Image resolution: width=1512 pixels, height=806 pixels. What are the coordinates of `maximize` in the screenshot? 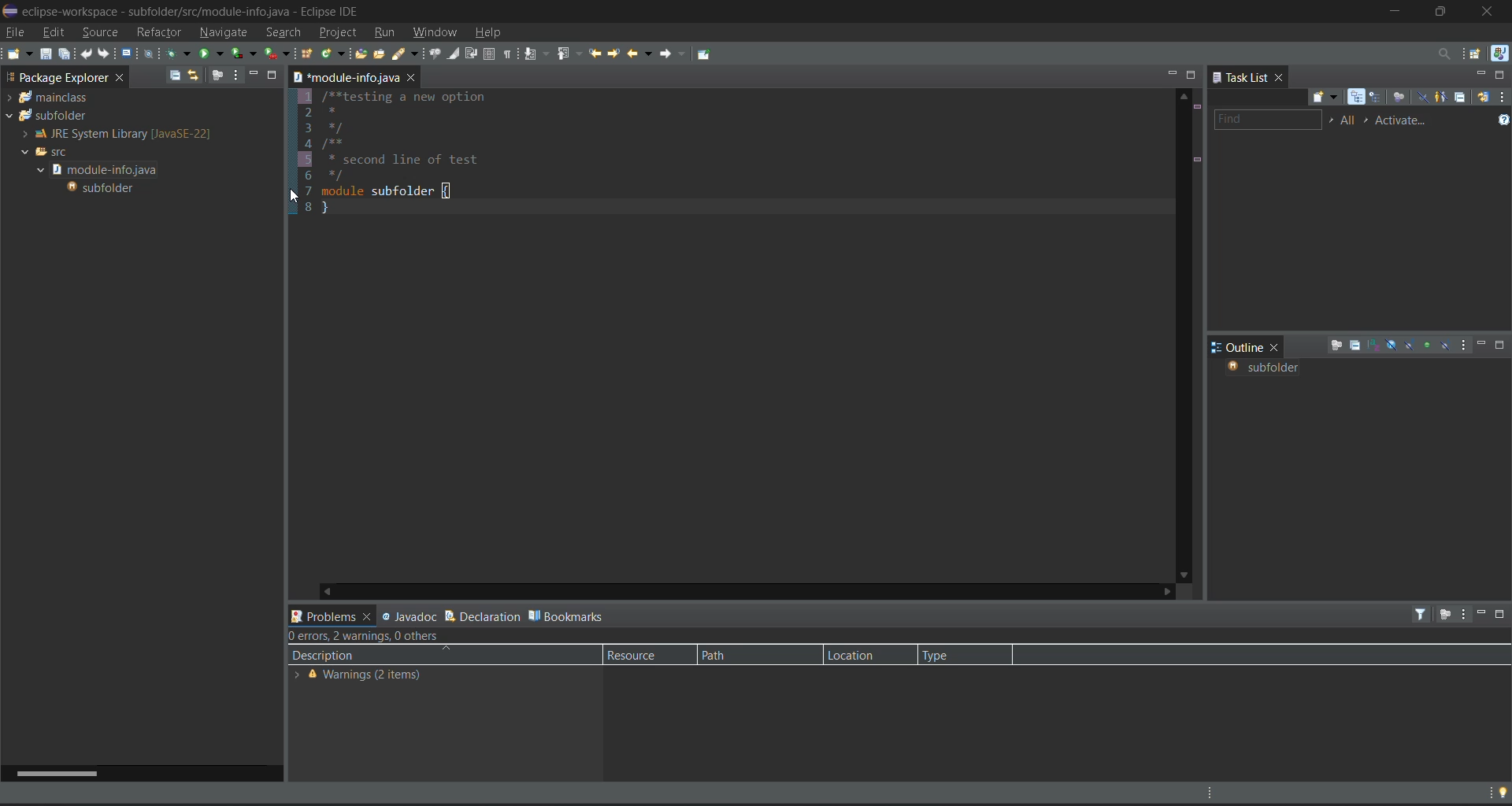 It's located at (1446, 9).